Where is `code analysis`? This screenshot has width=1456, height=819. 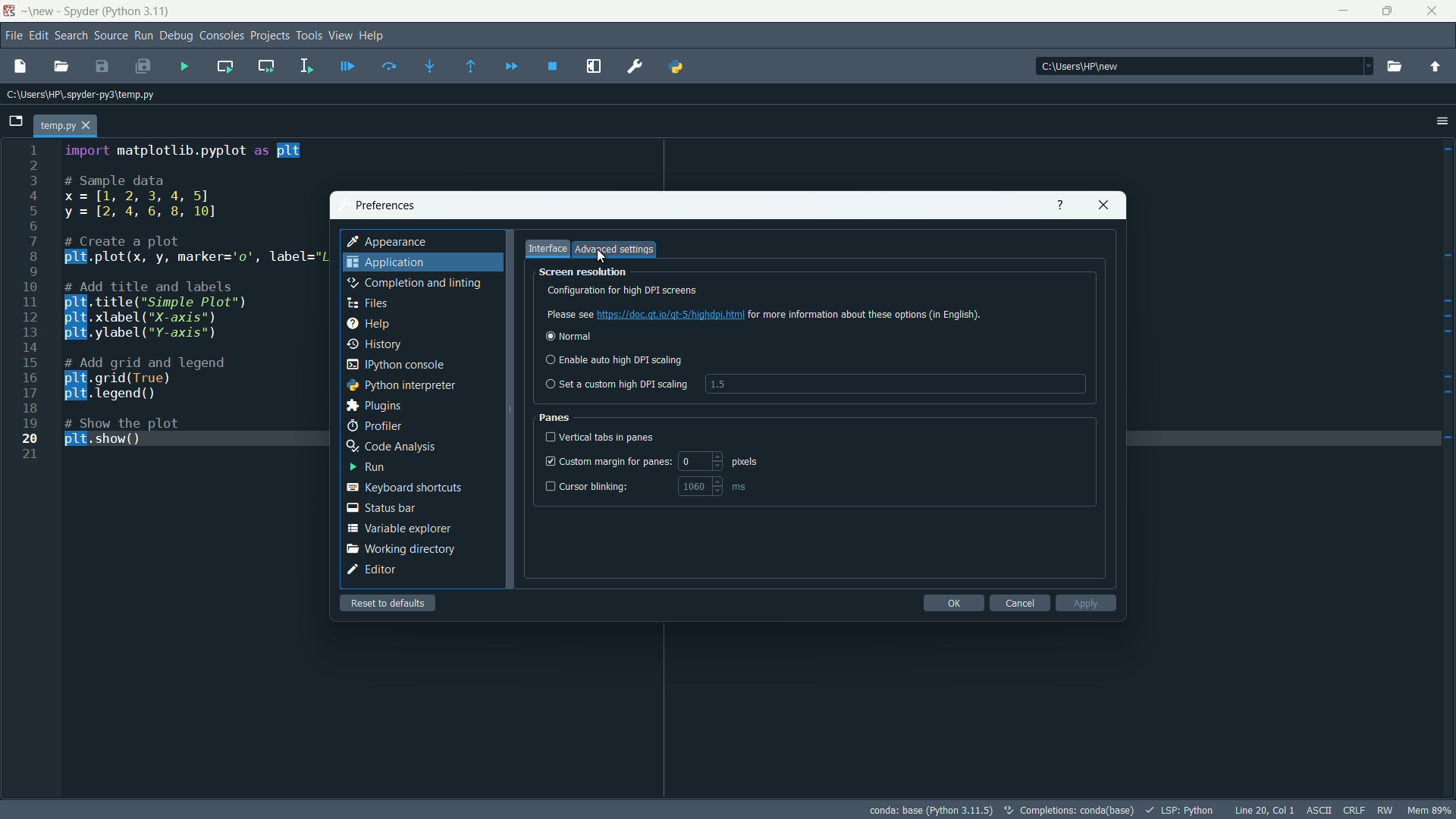
code analysis is located at coordinates (391, 447).